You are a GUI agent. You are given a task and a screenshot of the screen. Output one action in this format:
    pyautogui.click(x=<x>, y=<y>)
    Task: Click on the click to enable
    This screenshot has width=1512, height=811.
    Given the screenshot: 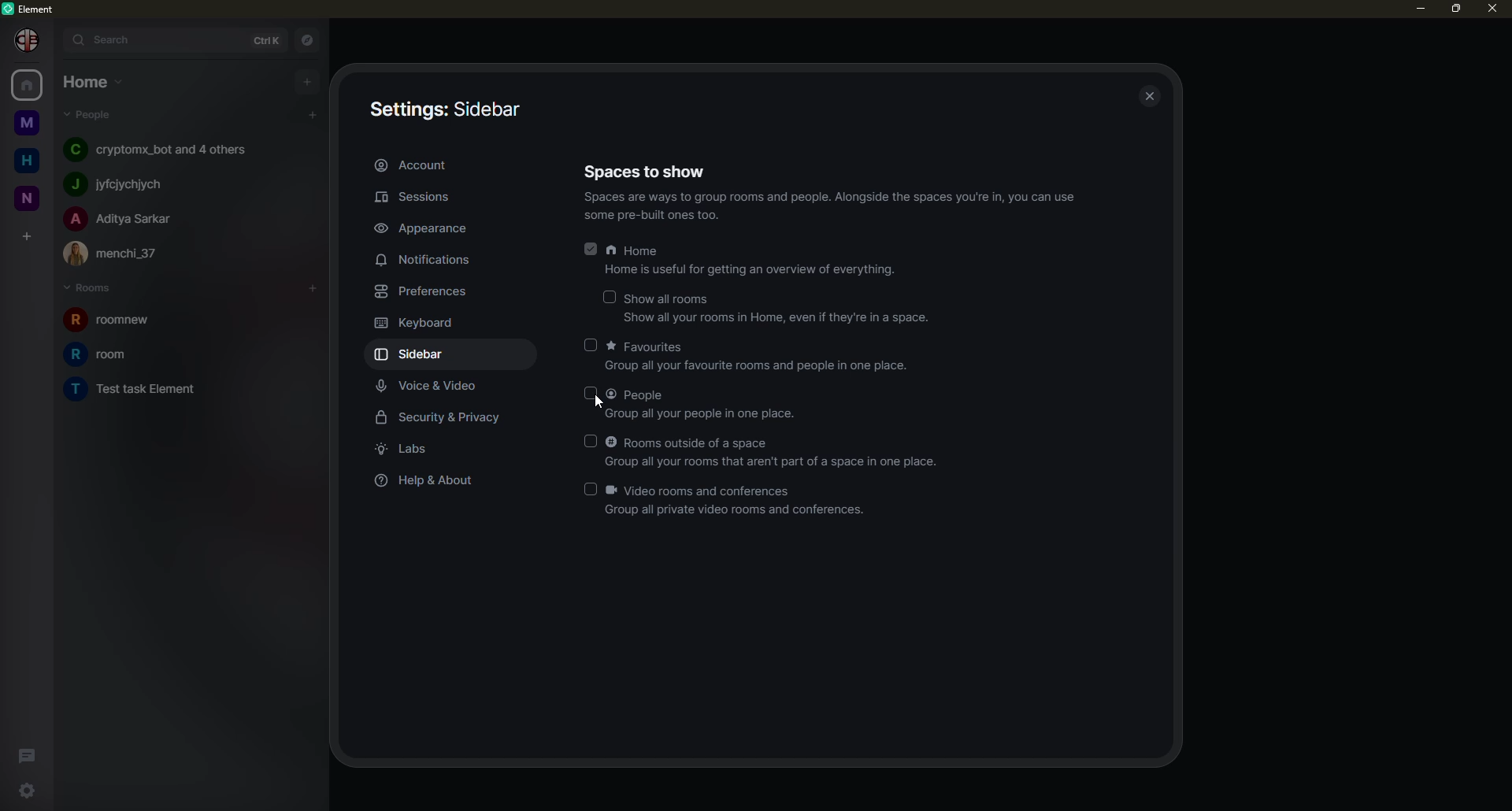 What is the action you would take?
    pyautogui.click(x=587, y=487)
    